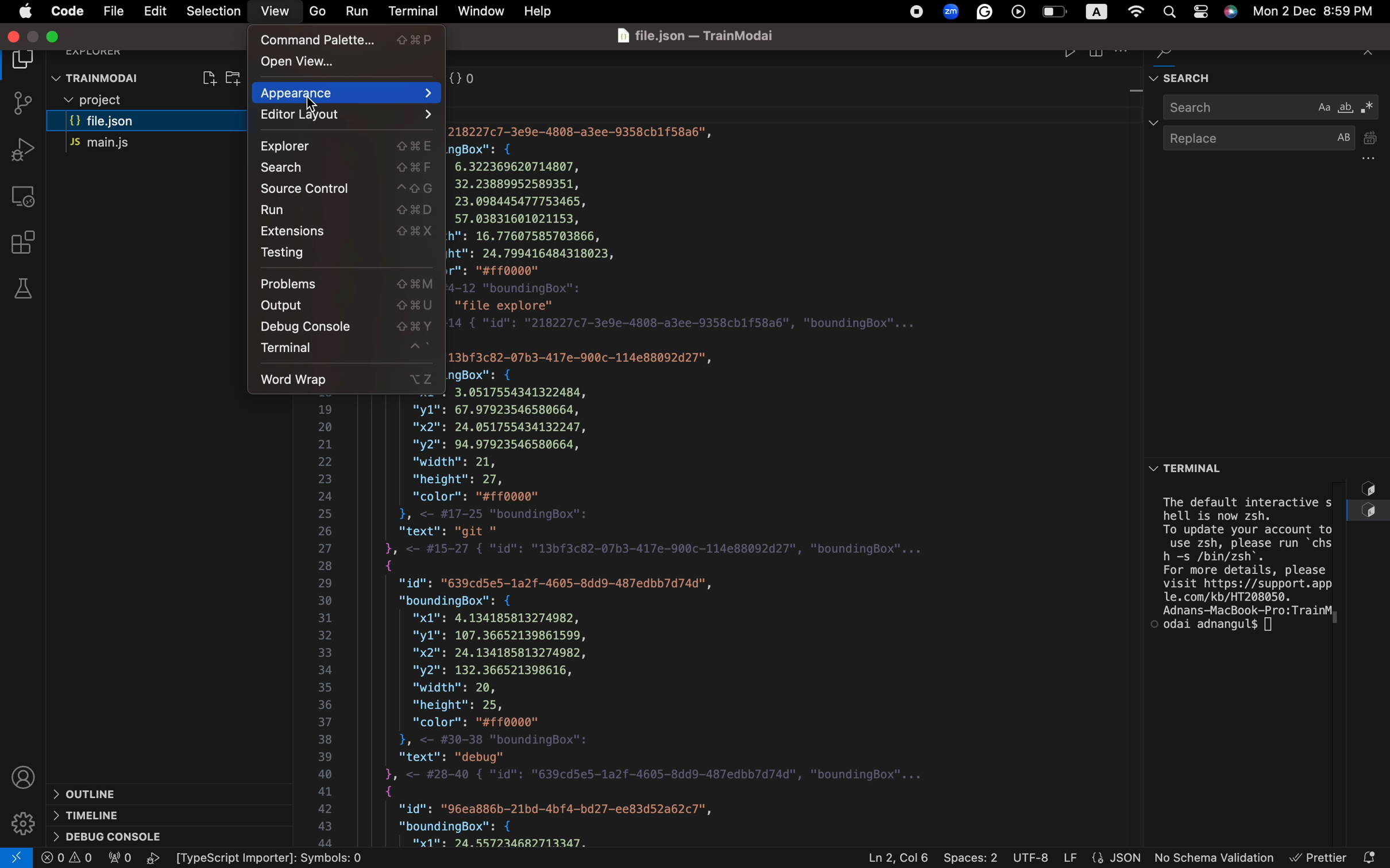 Image resolution: width=1390 pixels, height=868 pixels. I want to click on file name, so click(698, 36).